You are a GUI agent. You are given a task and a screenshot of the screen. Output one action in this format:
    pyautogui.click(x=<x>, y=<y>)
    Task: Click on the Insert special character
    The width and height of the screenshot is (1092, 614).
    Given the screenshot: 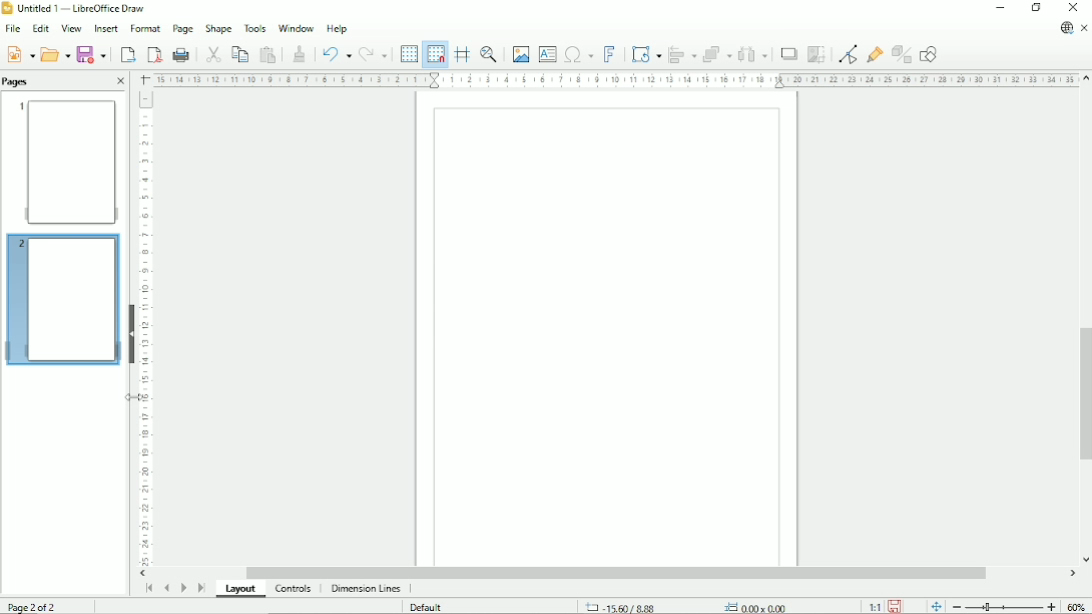 What is the action you would take?
    pyautogui.click(x=578, y=53)
    